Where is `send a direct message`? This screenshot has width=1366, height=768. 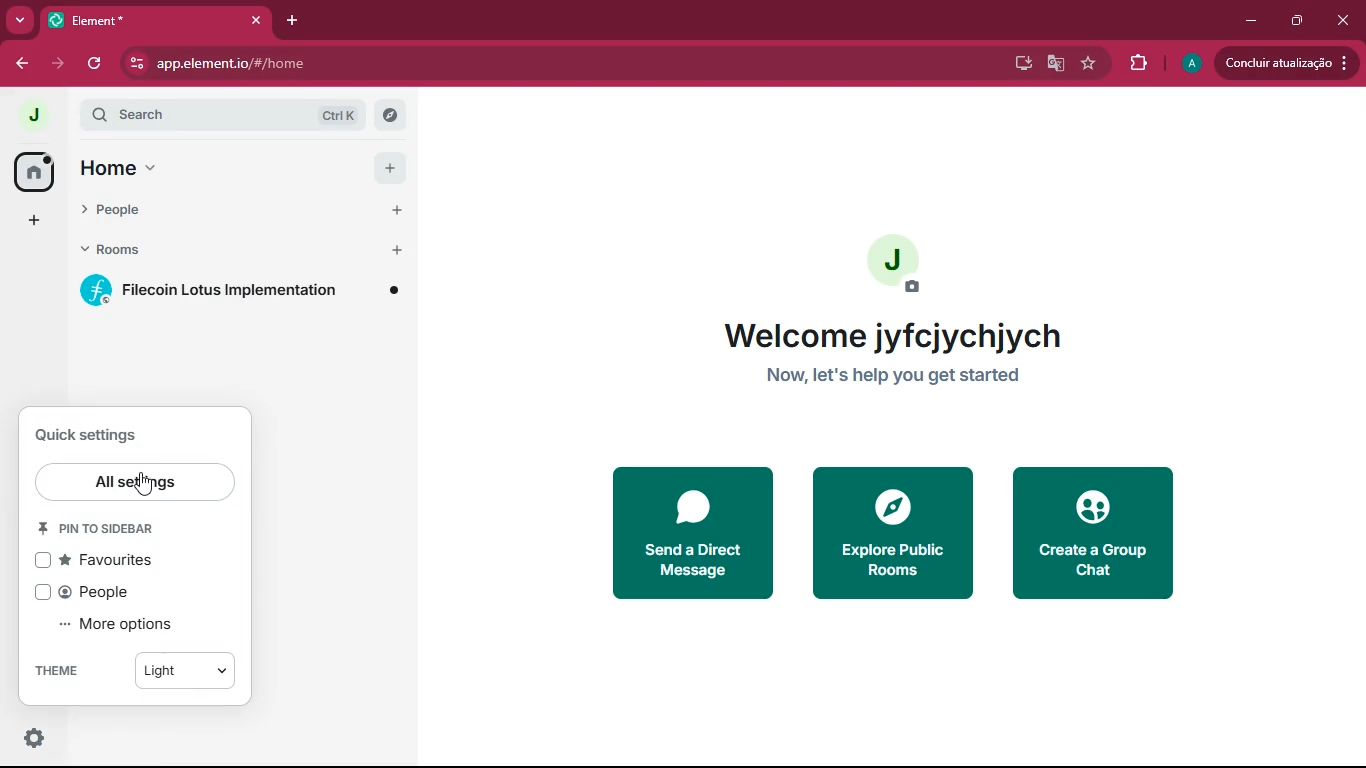
send a direct message is located at coordinates (692, 534).